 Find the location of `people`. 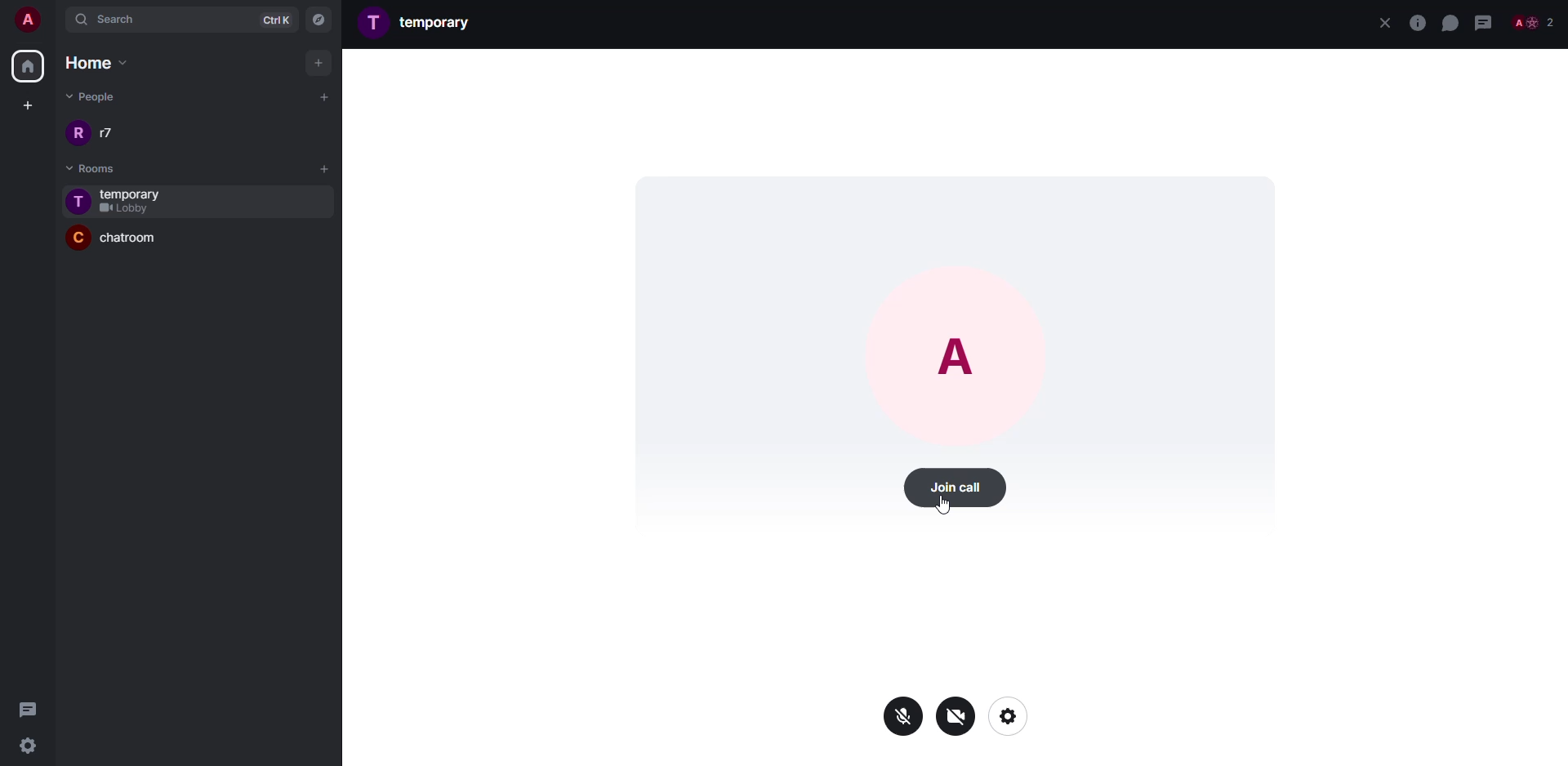

people is located at coordinates (95, 95).